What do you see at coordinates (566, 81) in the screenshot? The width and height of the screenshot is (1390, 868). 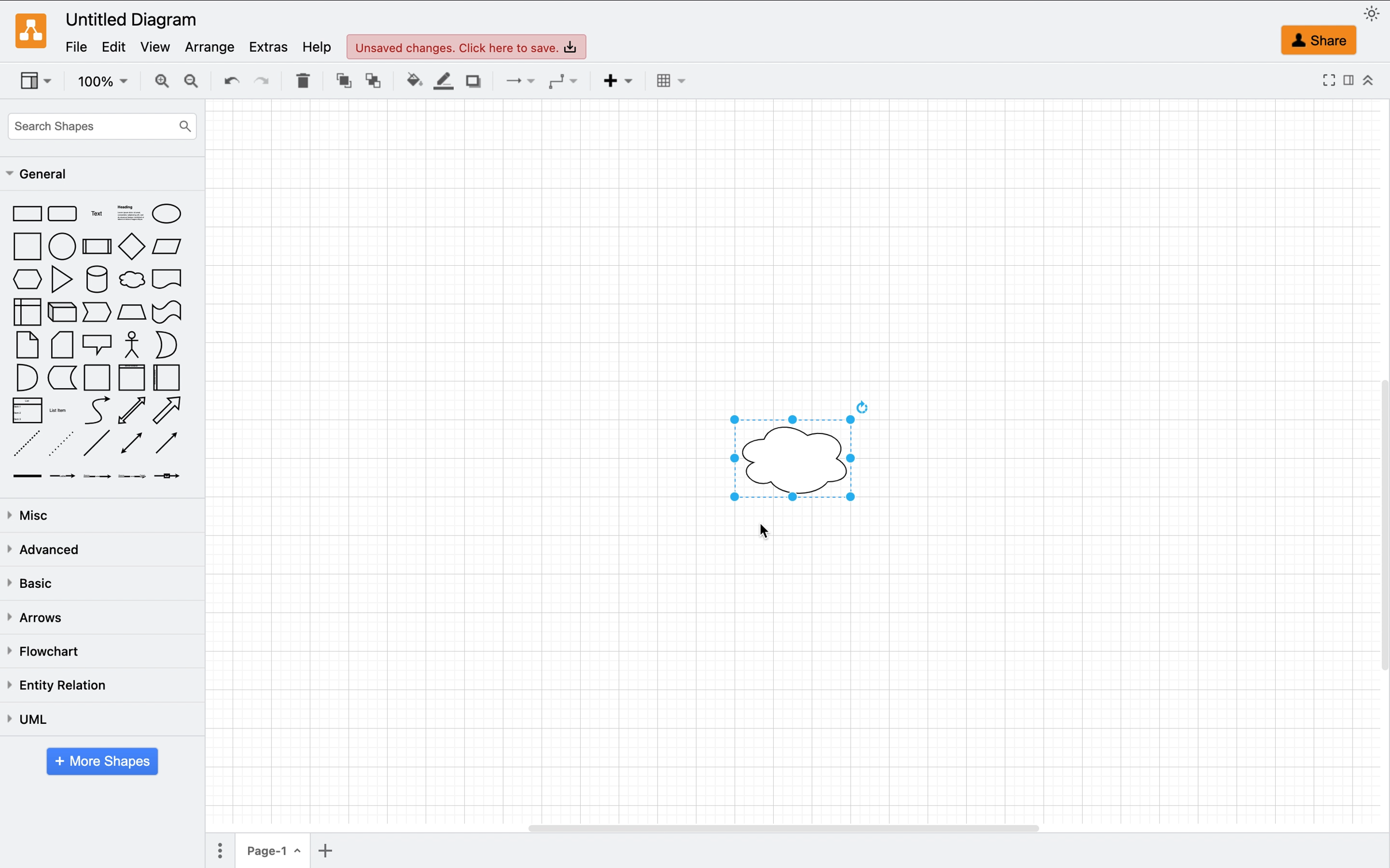 I see `waypoints` at bounding box center [566, 81].